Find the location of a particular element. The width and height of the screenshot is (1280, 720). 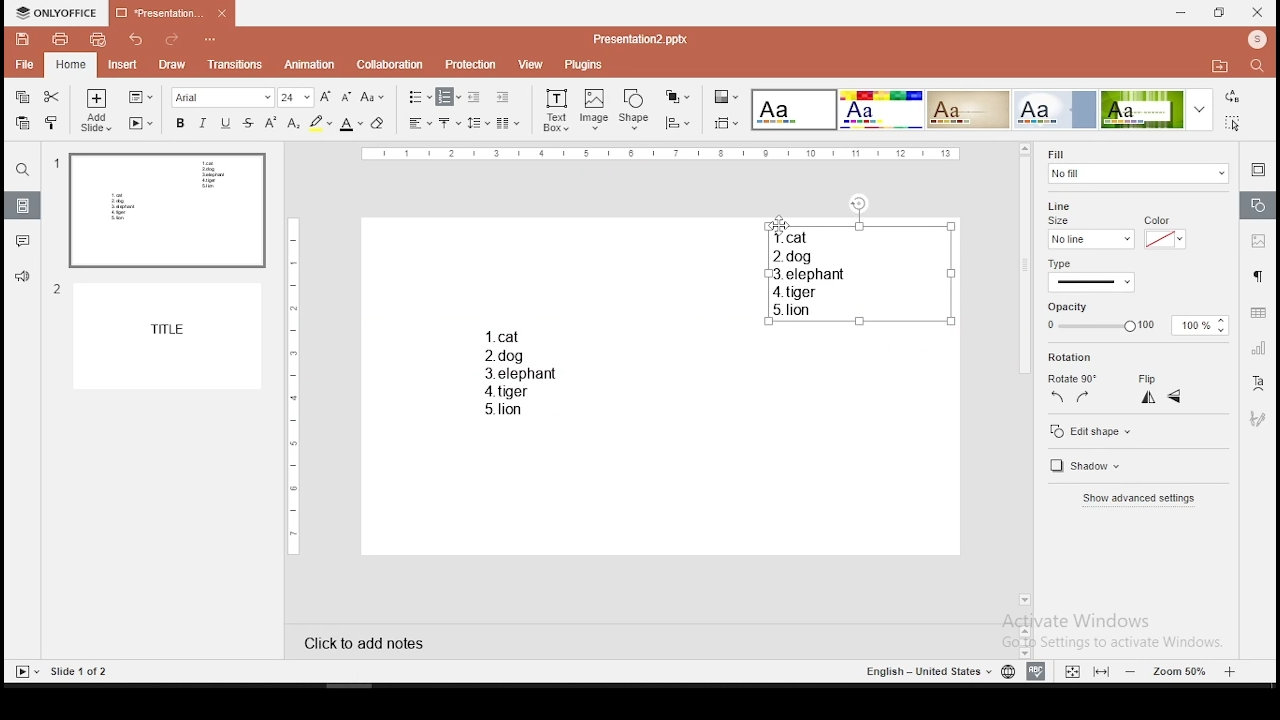

select all is located at coordinates (1236, 125).